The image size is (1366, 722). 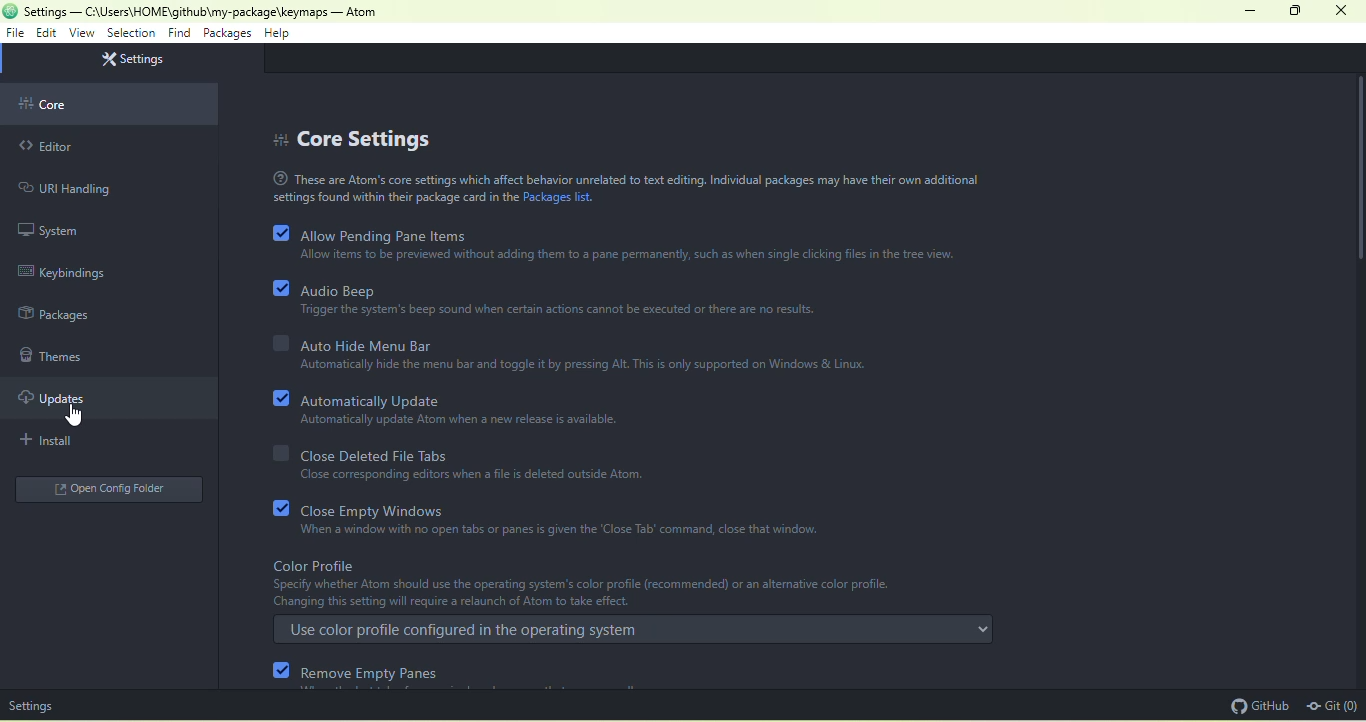 I want to click on close empty windows, so click(x=574, y=535).